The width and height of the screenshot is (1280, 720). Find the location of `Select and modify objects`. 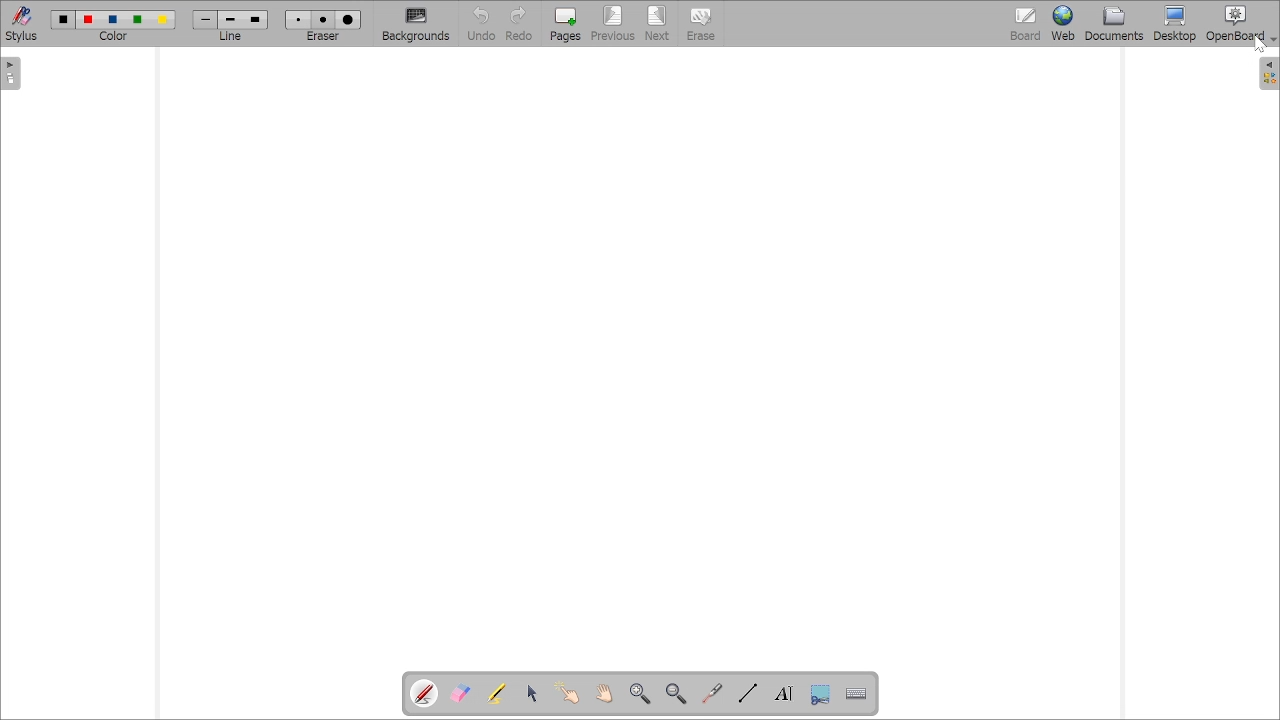

Select and modify objects is located at coordinates (531, 694).